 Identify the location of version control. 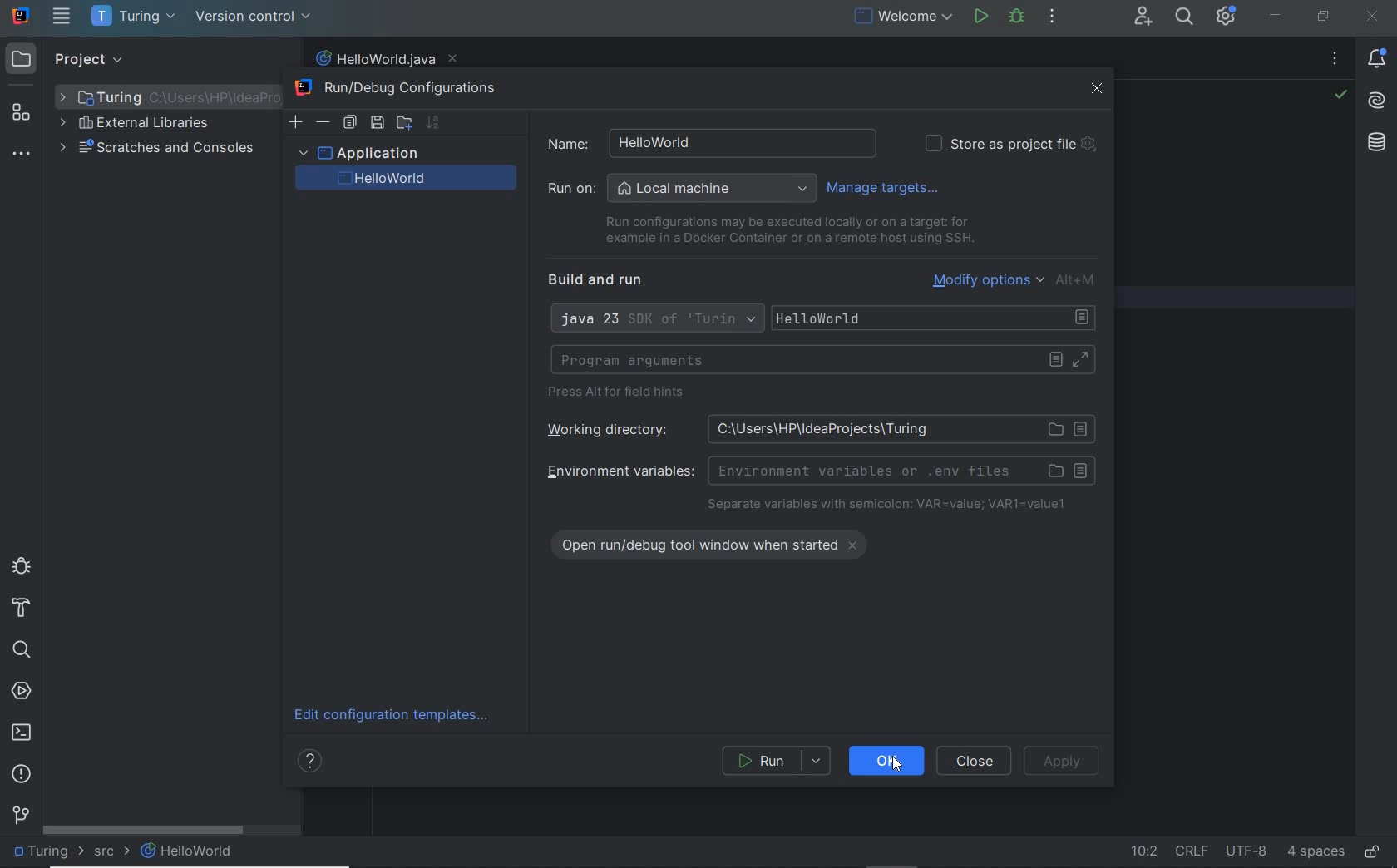
(254, 17).